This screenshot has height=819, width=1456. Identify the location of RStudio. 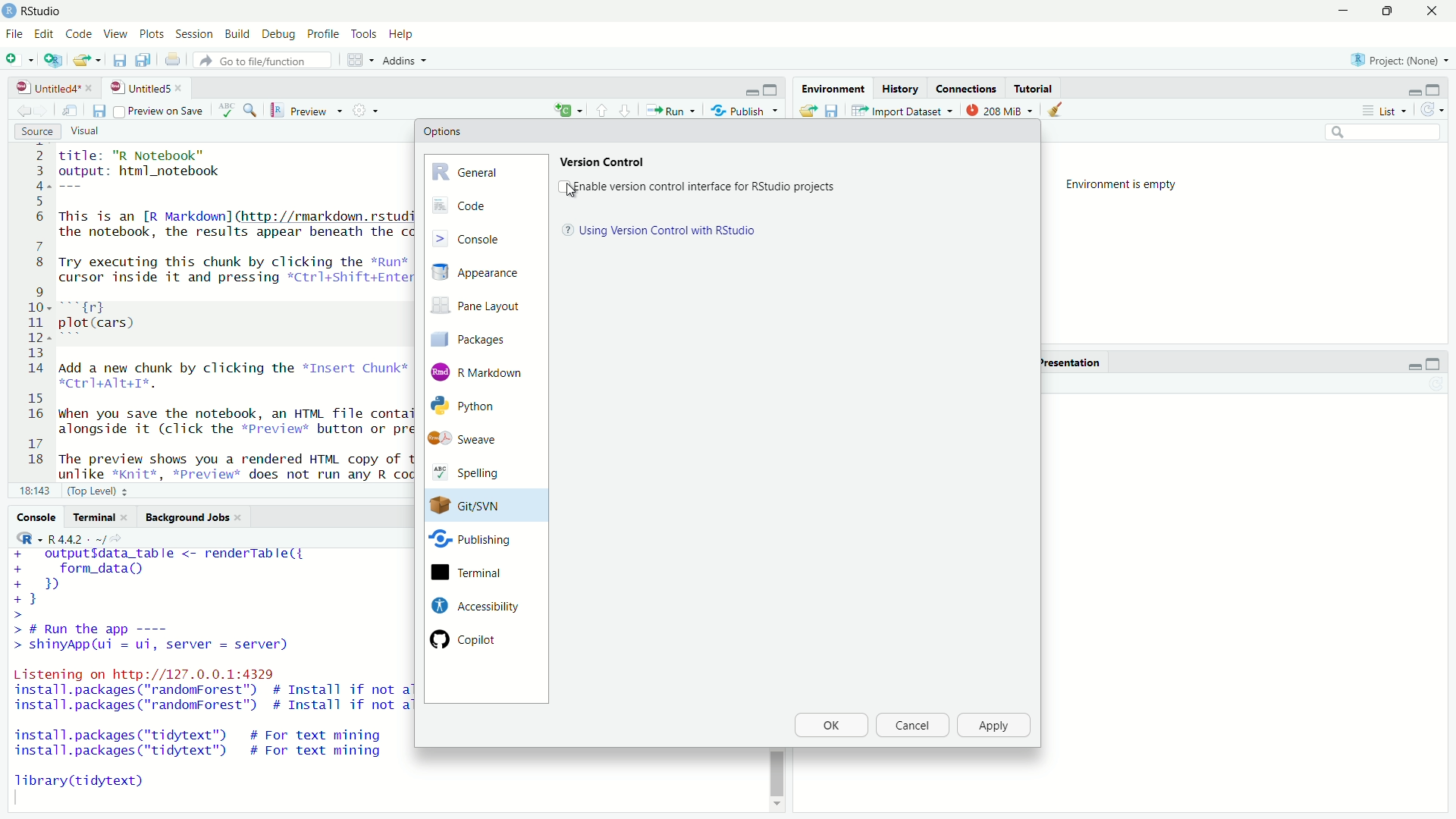
(44, 11).